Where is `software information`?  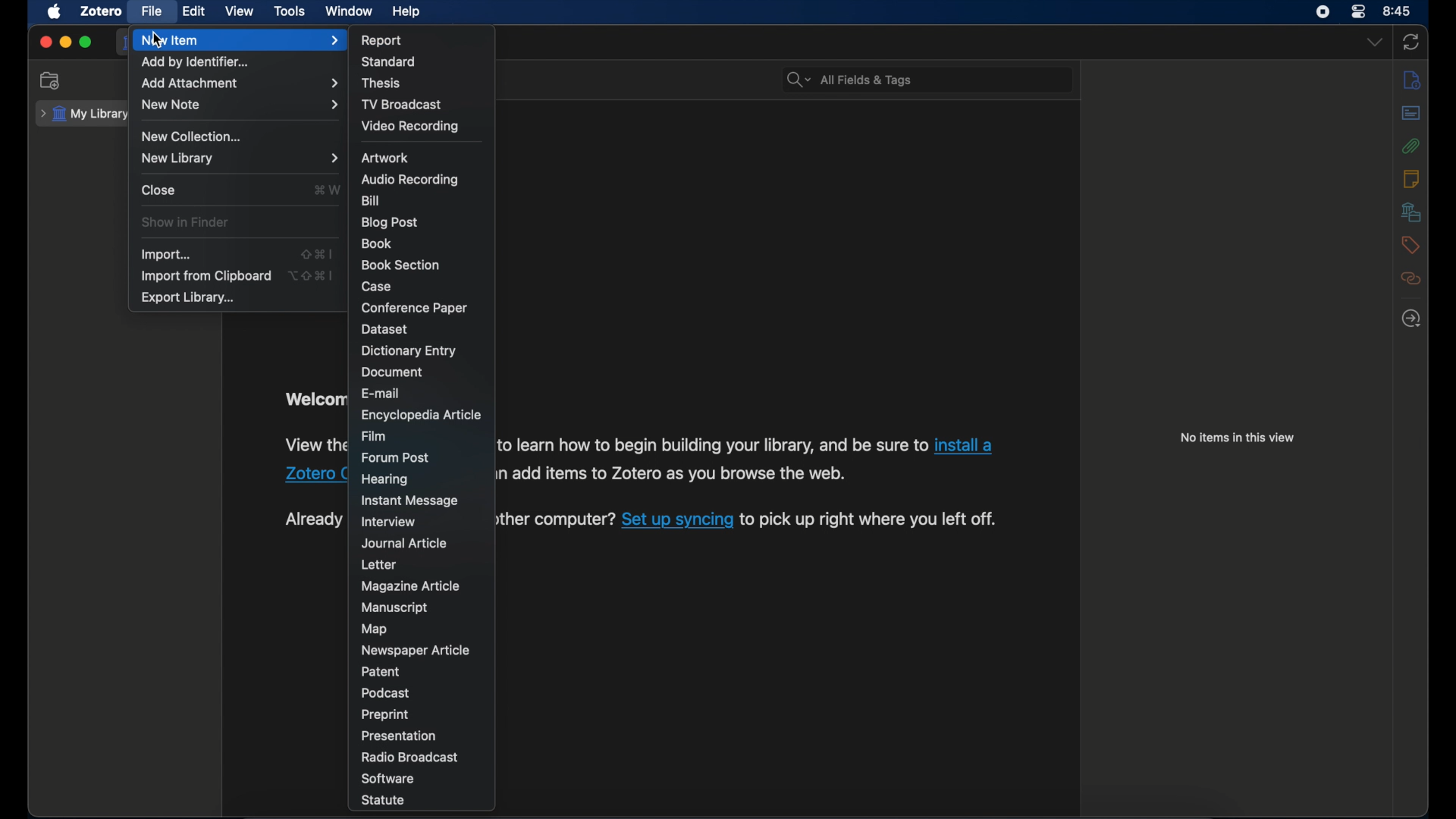 software information is located at coordinates (714, 444).